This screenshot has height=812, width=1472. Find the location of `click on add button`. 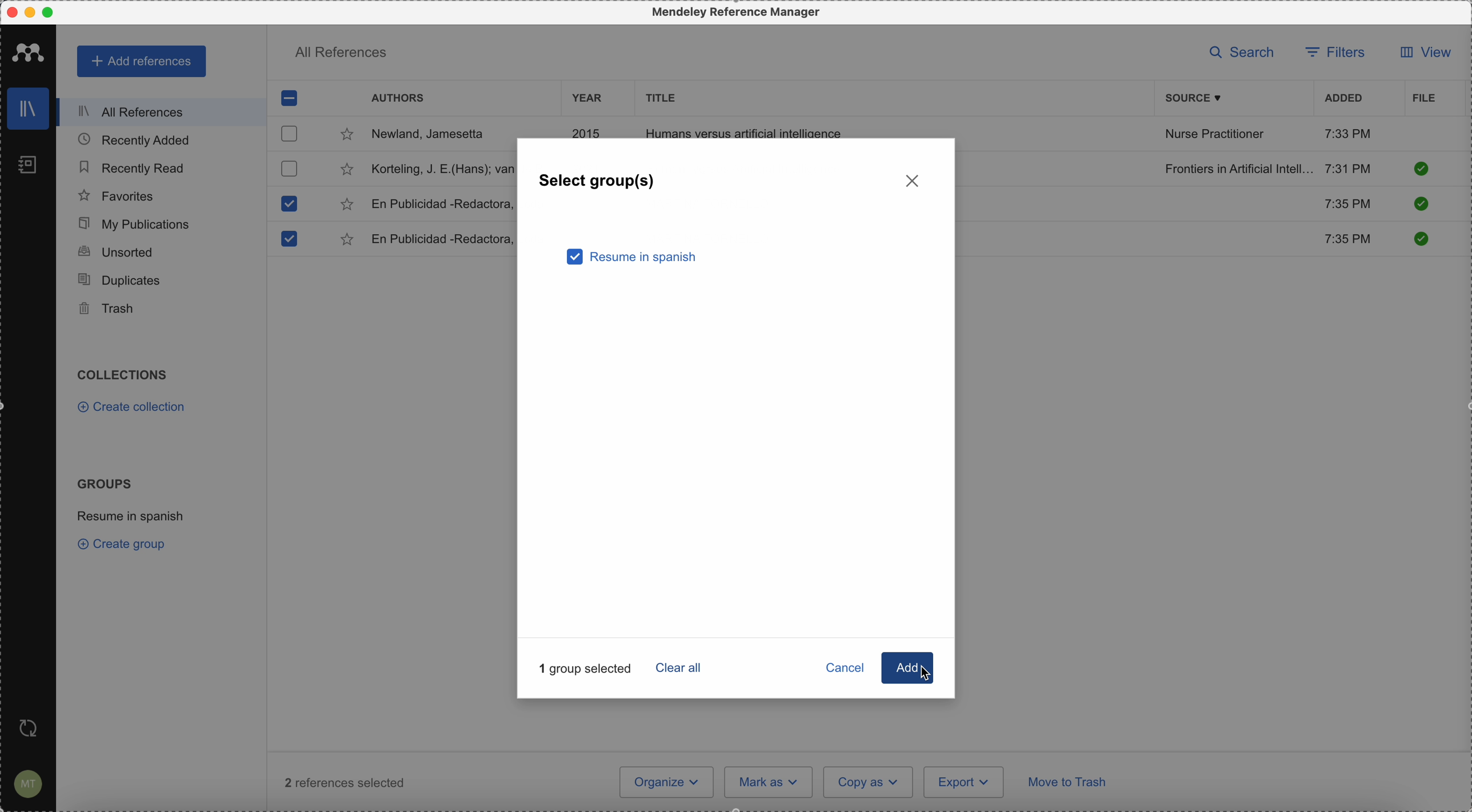

click on add button is located at coordinates (899, 669).